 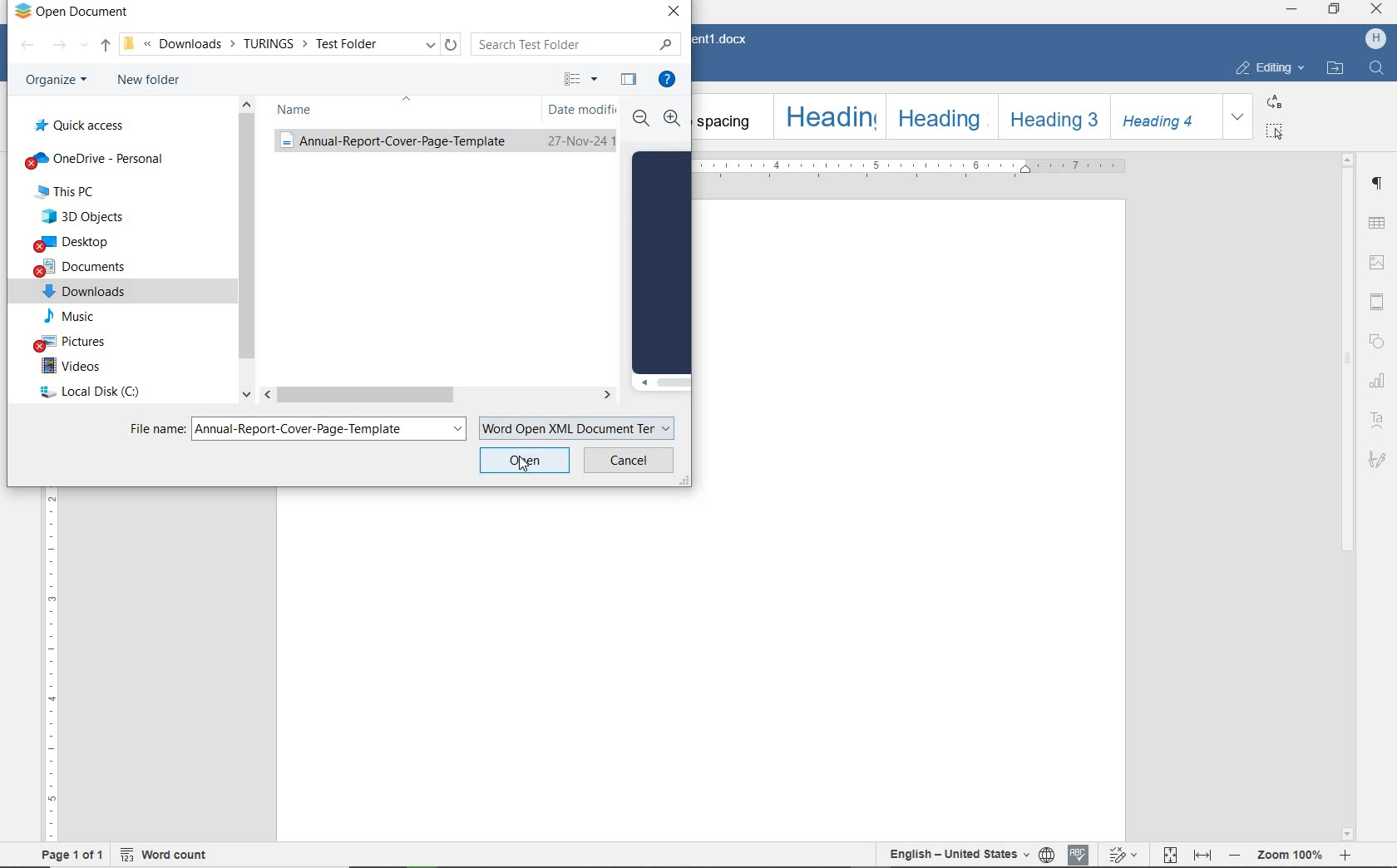 What do you see at coordinates (1080, 855) in the screenshot?
I see `spell checker` at bounding box center [1080, 855].